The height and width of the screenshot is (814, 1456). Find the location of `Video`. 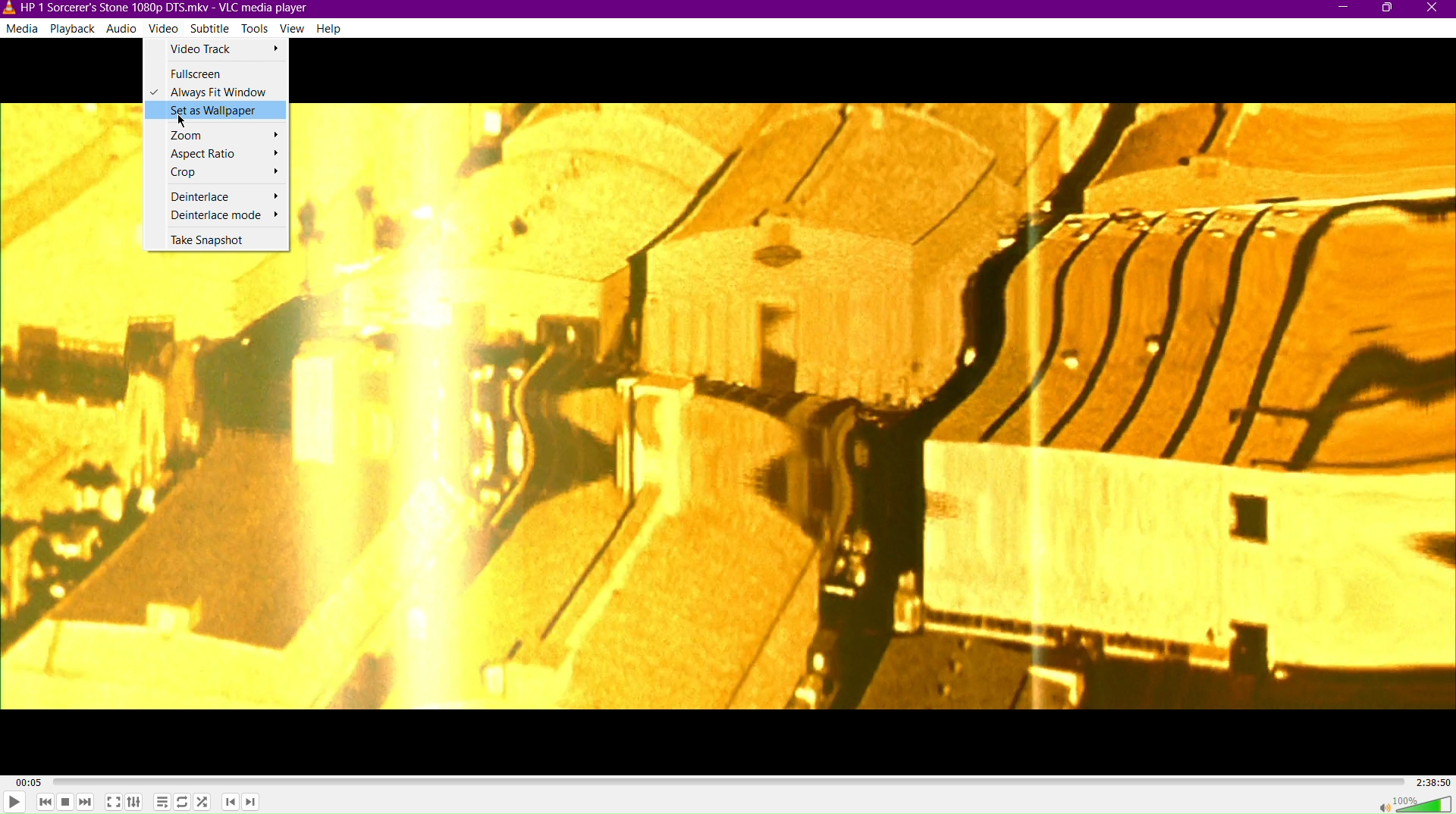

Video is located at coordinates (165, 29).